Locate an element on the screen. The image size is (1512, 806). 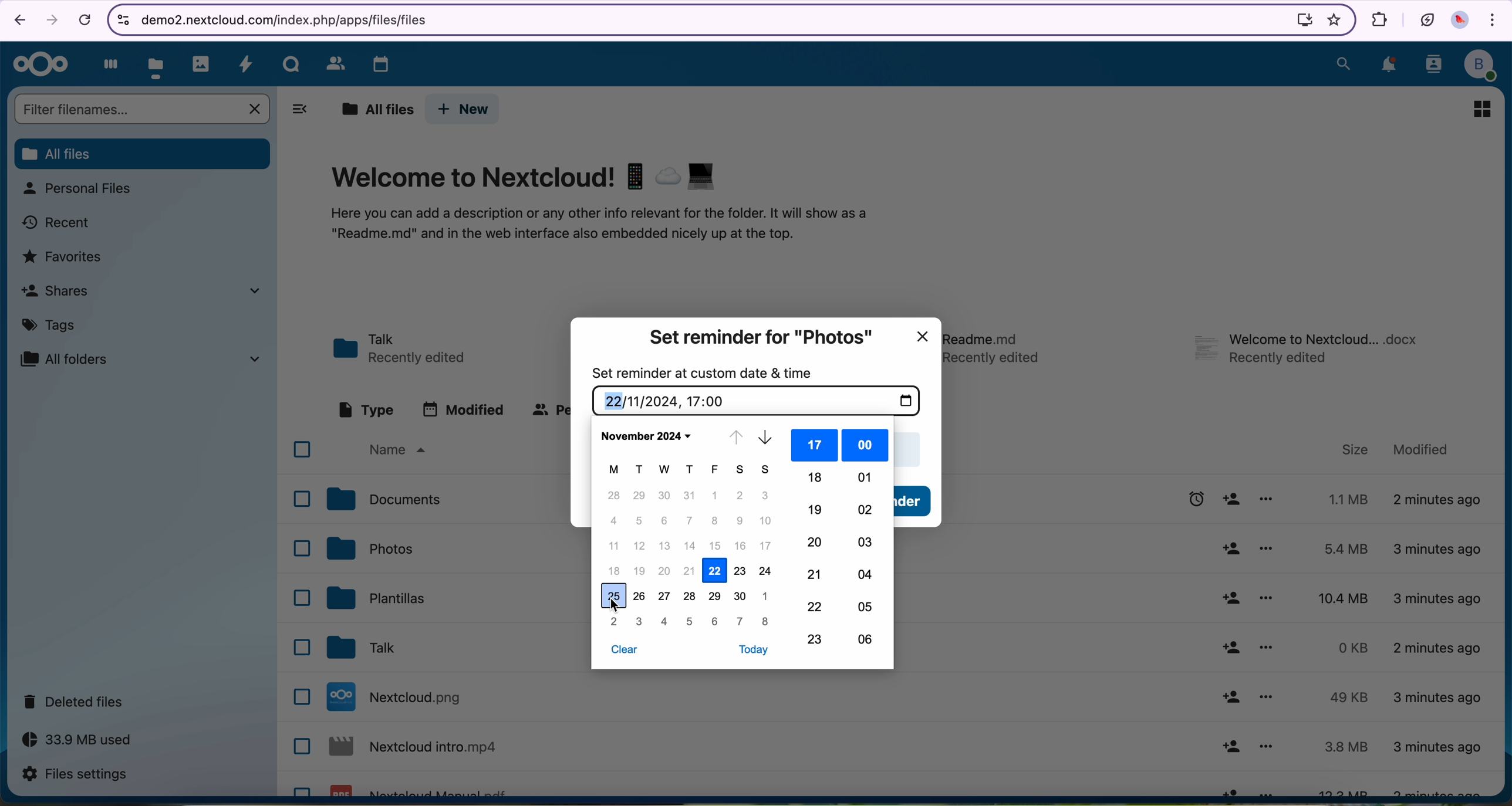
controls is located at coordinates (121, 18).